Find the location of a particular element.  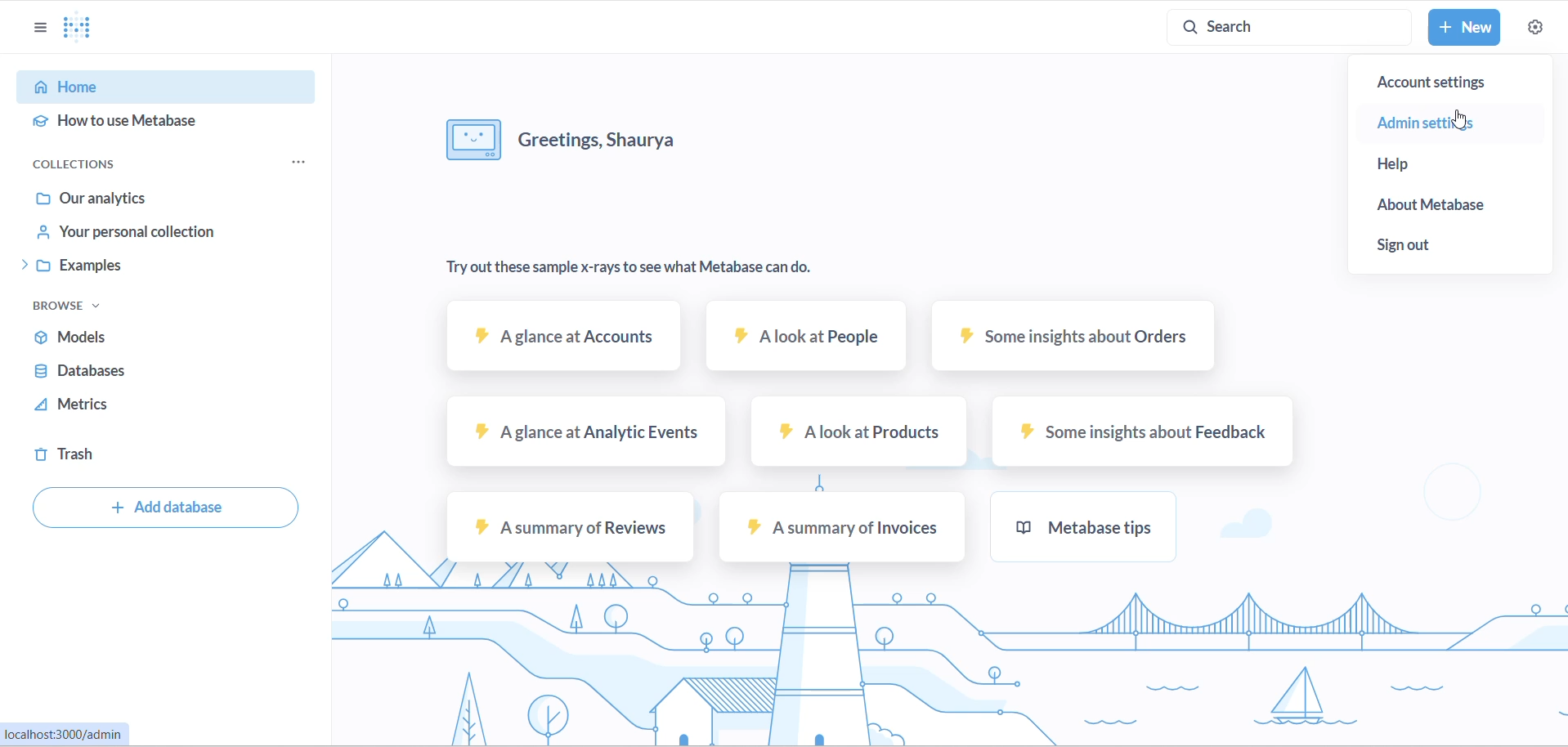

Try out these sample x-rays to see what Metabase can do. is located at coordinates (632, 268).